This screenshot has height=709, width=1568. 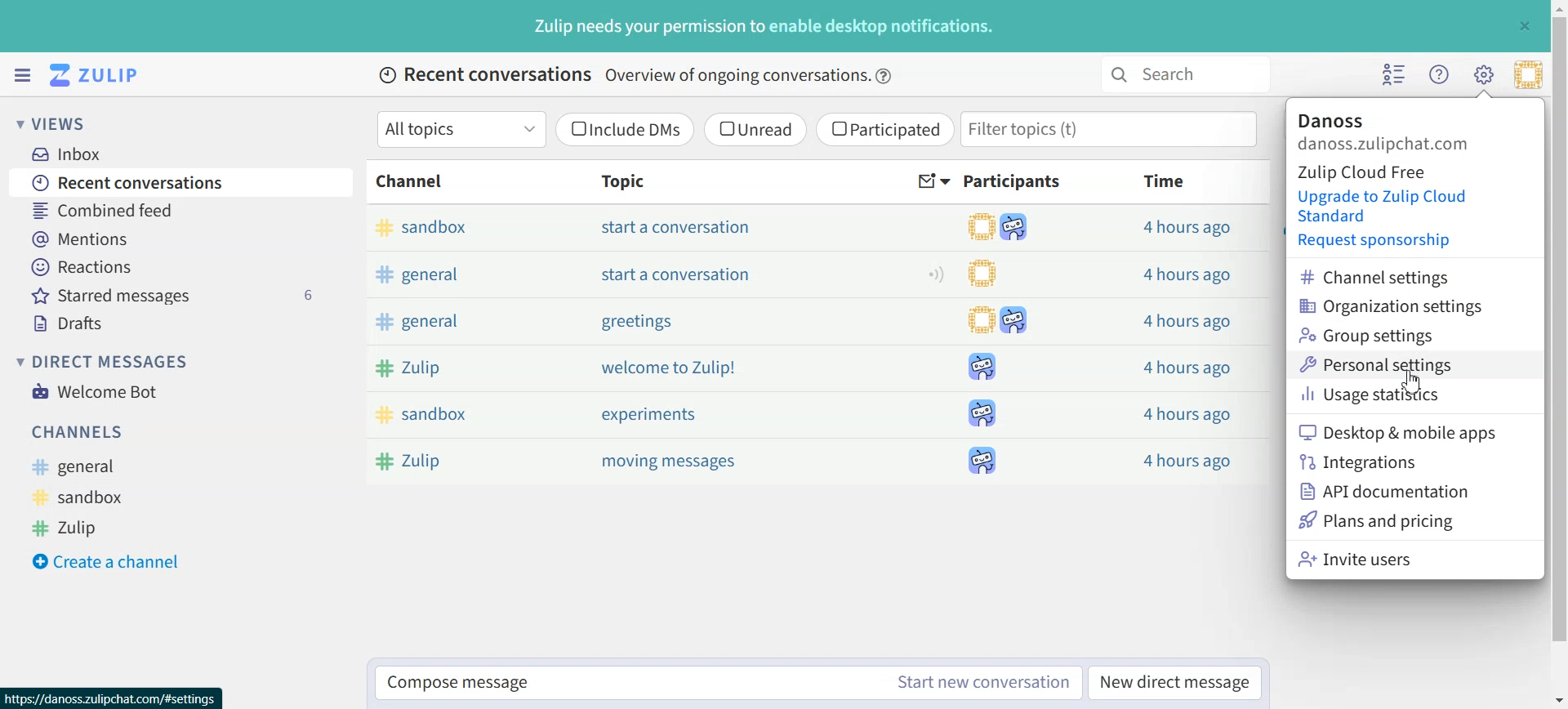 I want to click on All topics, so click(x=461, y=129).